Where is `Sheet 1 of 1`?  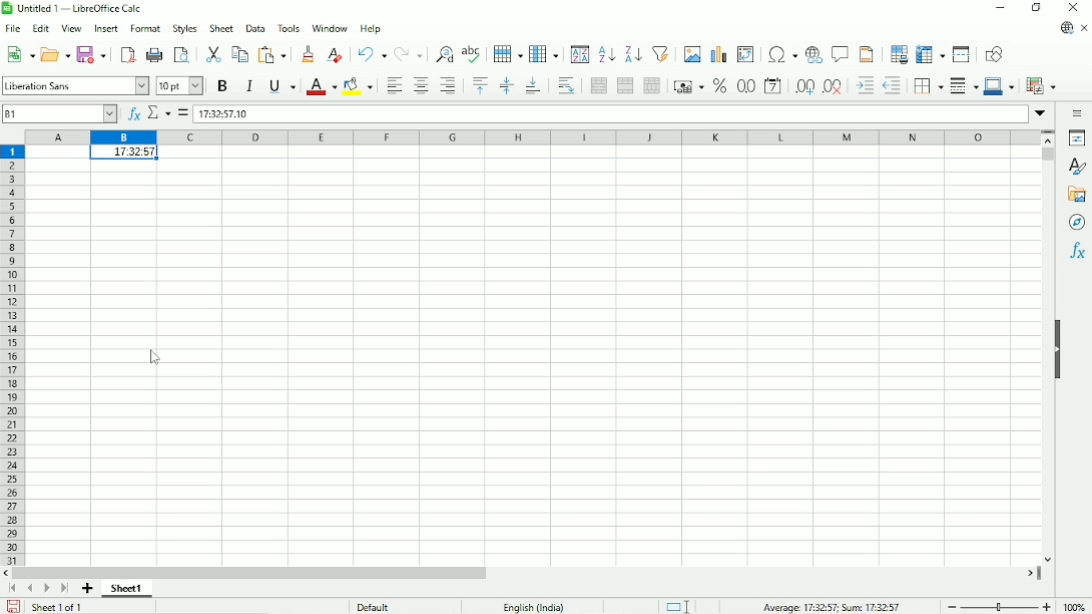 Sheet 1 of 1 is located at coordinates (56, 607).